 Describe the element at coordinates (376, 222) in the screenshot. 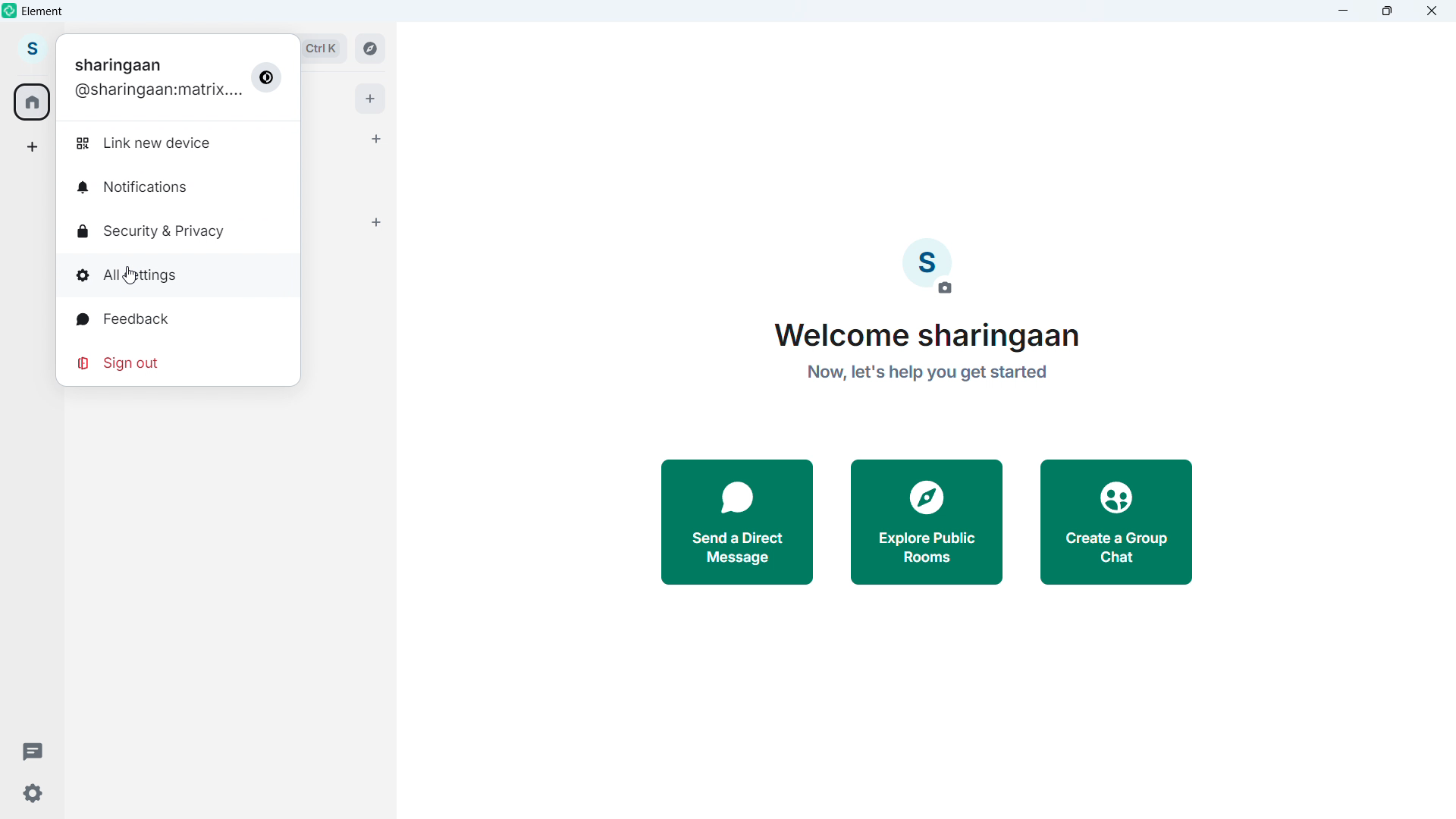

I see `Add rooms ` at that location.